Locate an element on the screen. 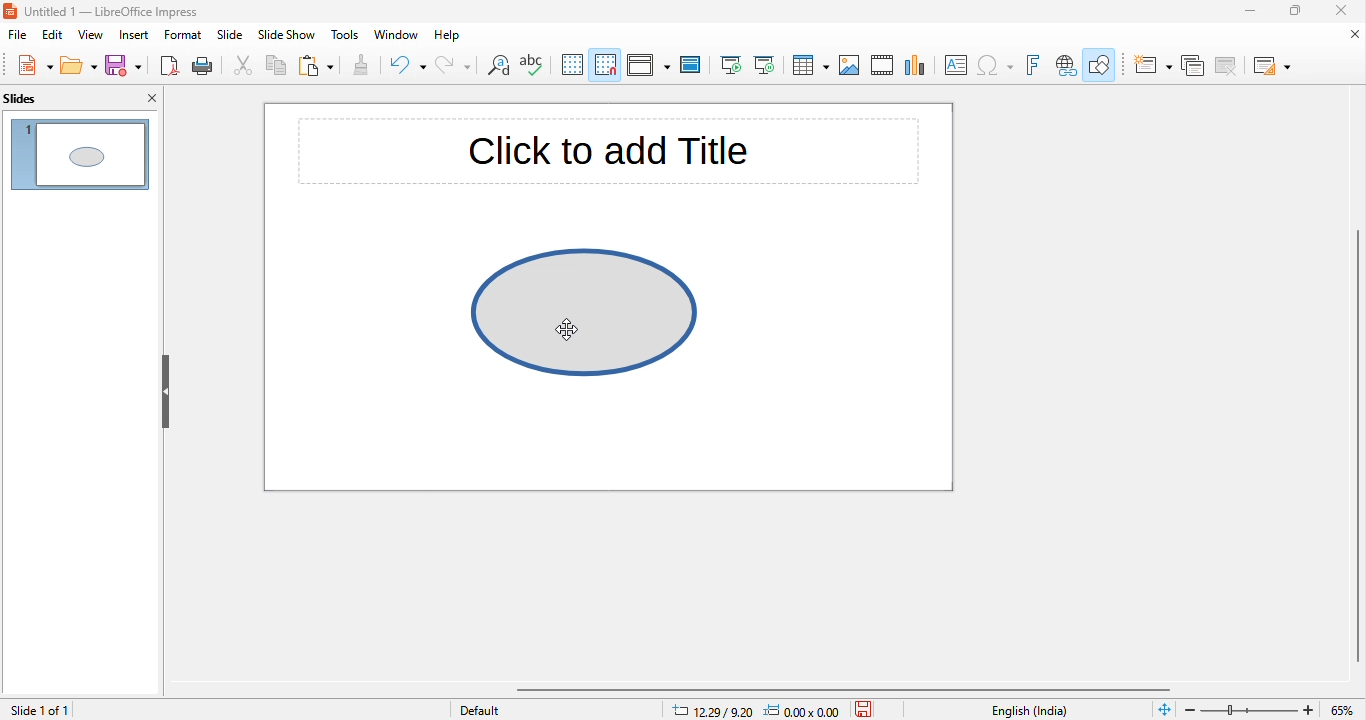 The height and width of the screenshot is (720, 1366). untitled 1- libreoffice impress is located at coordinates (122, 12).